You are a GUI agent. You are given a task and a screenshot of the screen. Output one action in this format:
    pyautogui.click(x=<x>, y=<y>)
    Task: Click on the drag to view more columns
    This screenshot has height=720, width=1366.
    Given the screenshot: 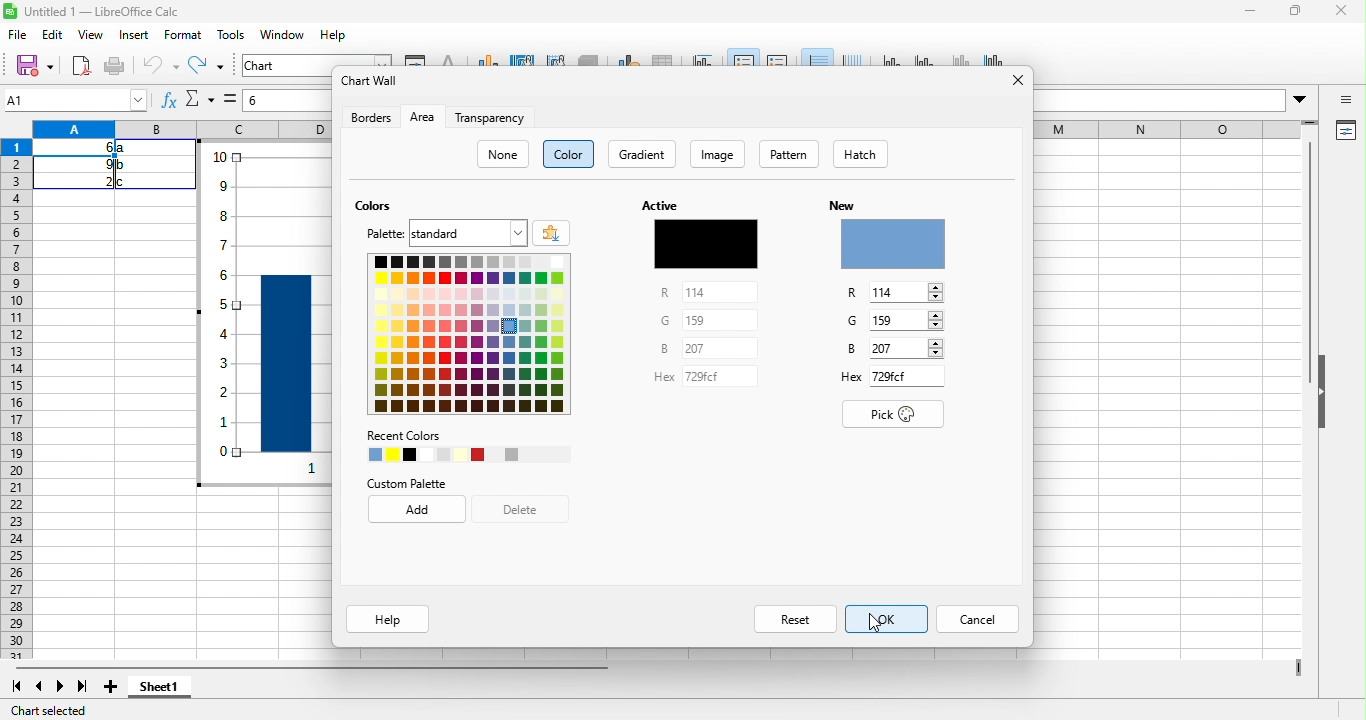 What is the action you would take?
    pyautogui.click(x=1293, y=663)
    